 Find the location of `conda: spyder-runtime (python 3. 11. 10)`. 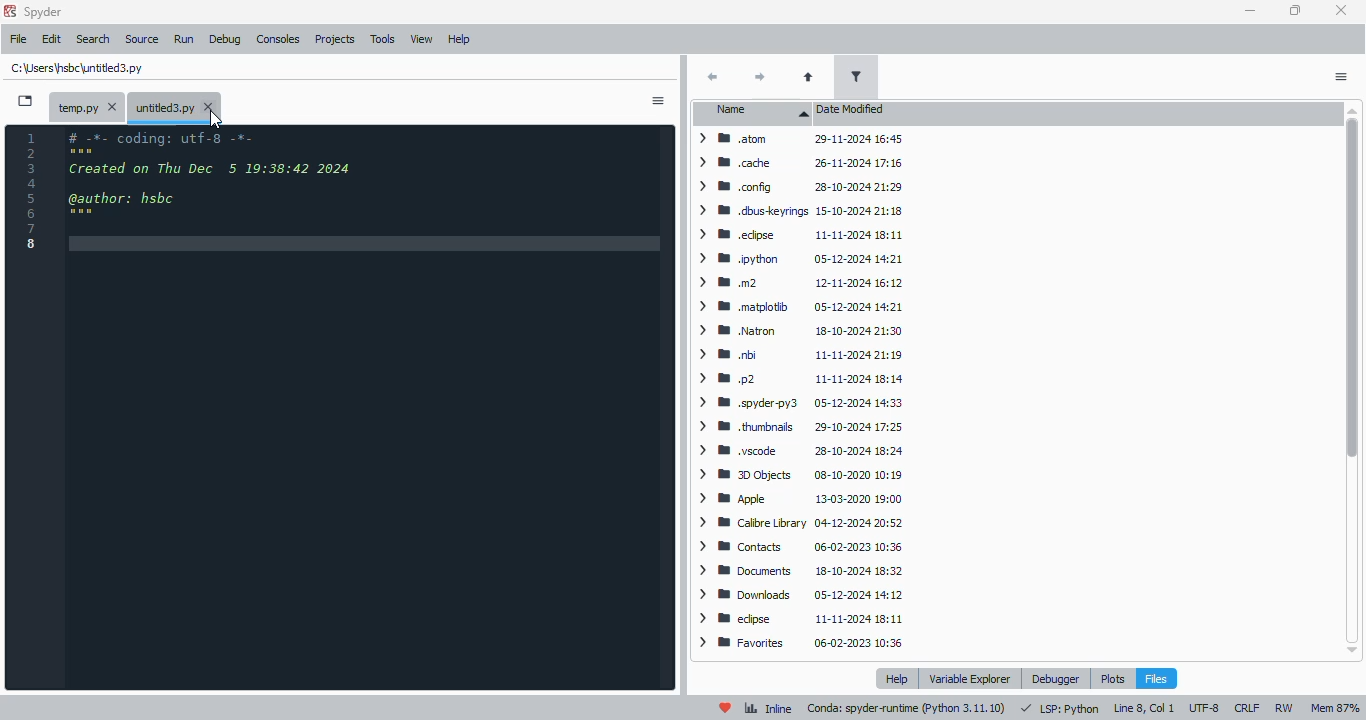

conda: spyder-runtime (python 3. 11. 10) is located at coordinates (906, 710).